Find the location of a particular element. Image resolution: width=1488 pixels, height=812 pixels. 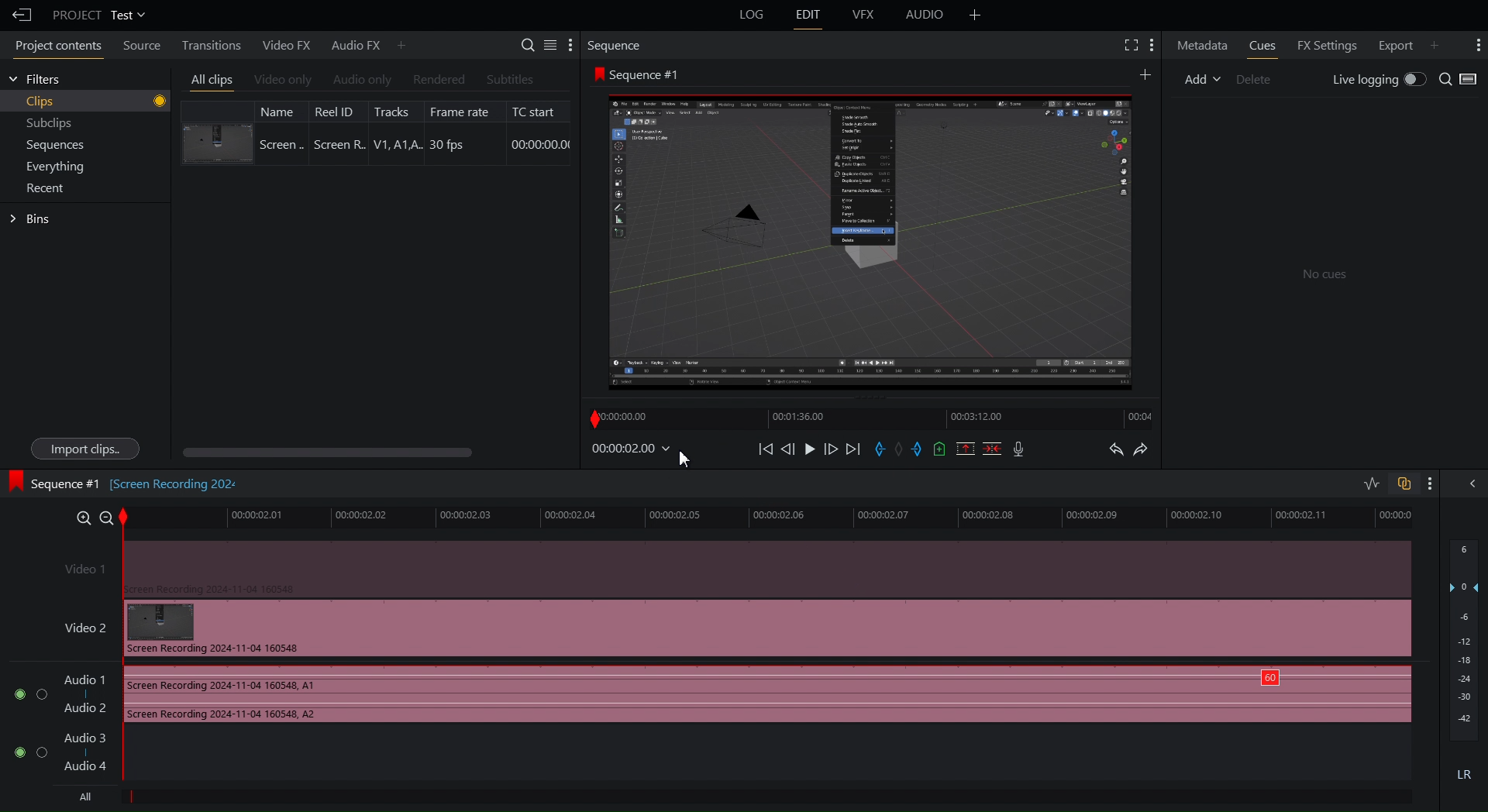

Clip is located at coordinates (376, 132).